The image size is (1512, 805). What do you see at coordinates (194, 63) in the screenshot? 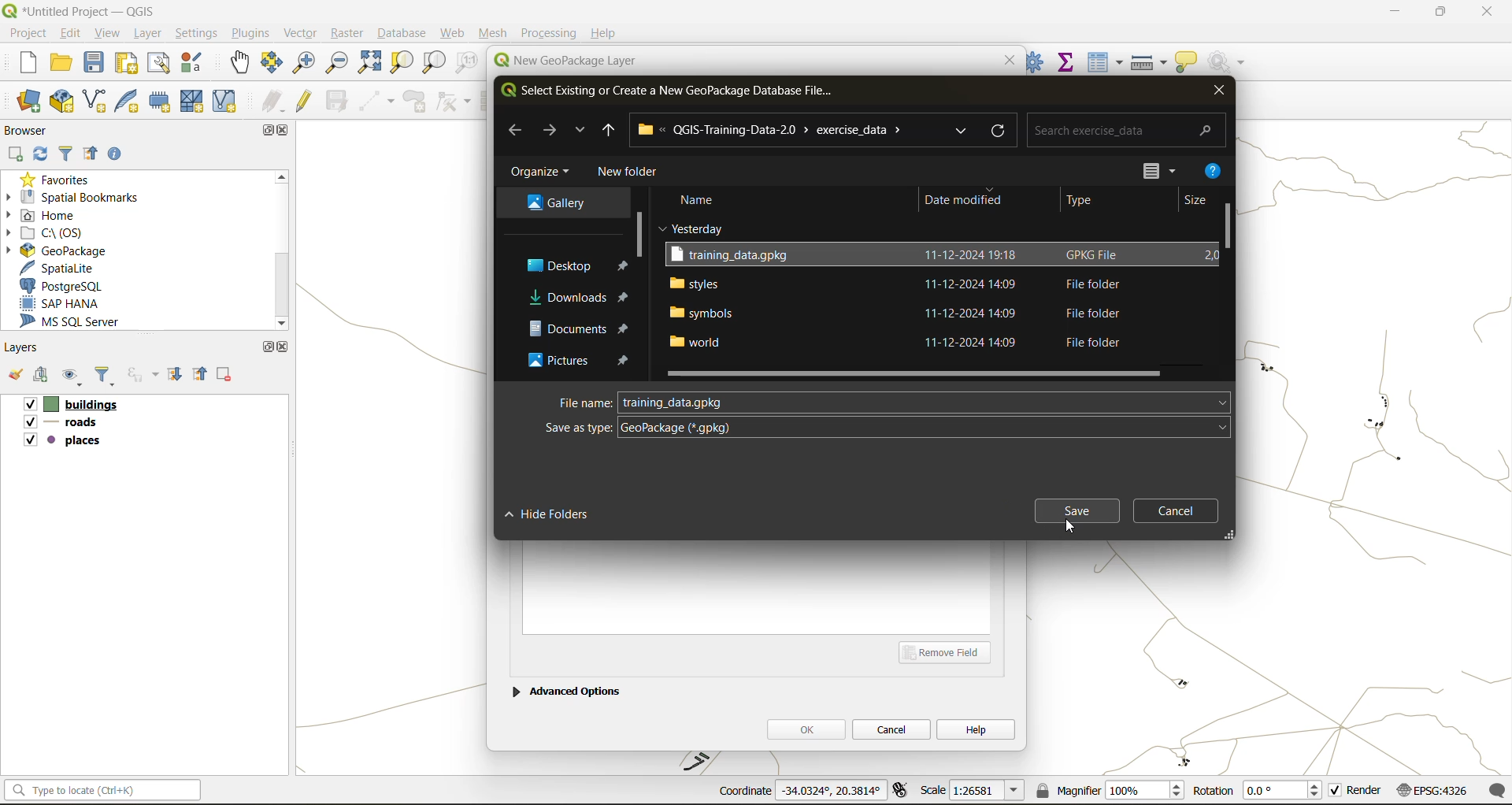
I see `style manager` at bounding box center [194, 63].